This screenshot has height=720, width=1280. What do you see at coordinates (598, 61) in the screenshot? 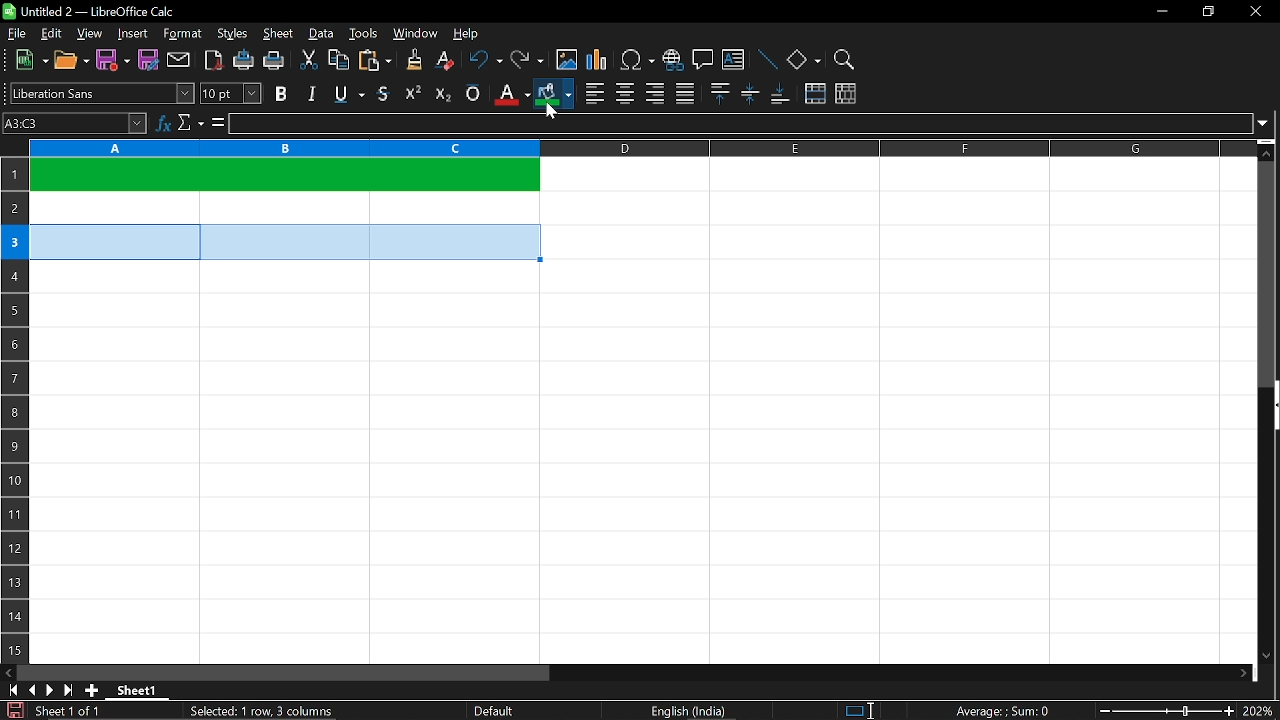
I see `insert chart` at bounding box center [598, 61].